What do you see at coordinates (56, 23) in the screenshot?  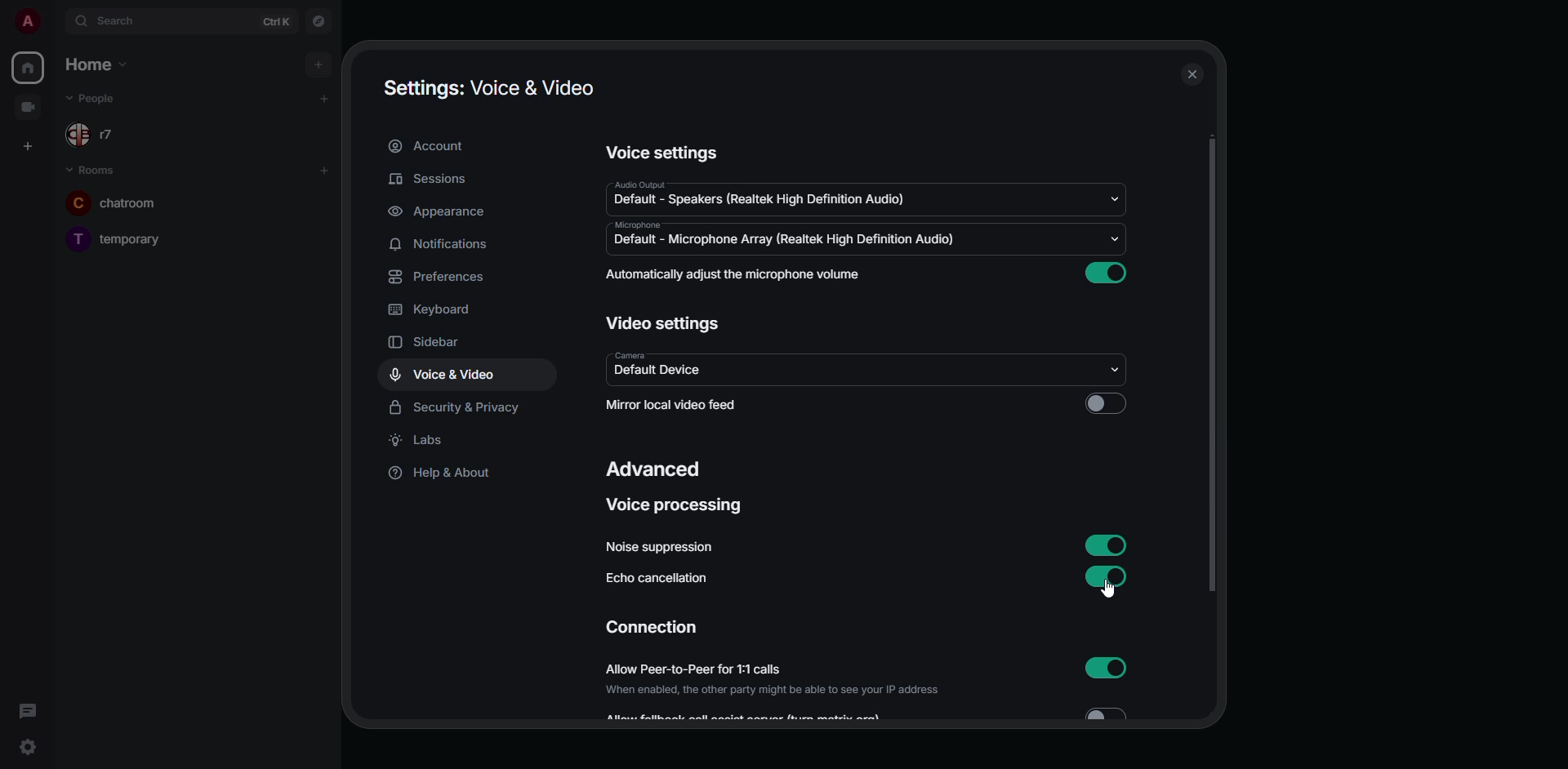 I see `expand` at bounding box center [56, 23].